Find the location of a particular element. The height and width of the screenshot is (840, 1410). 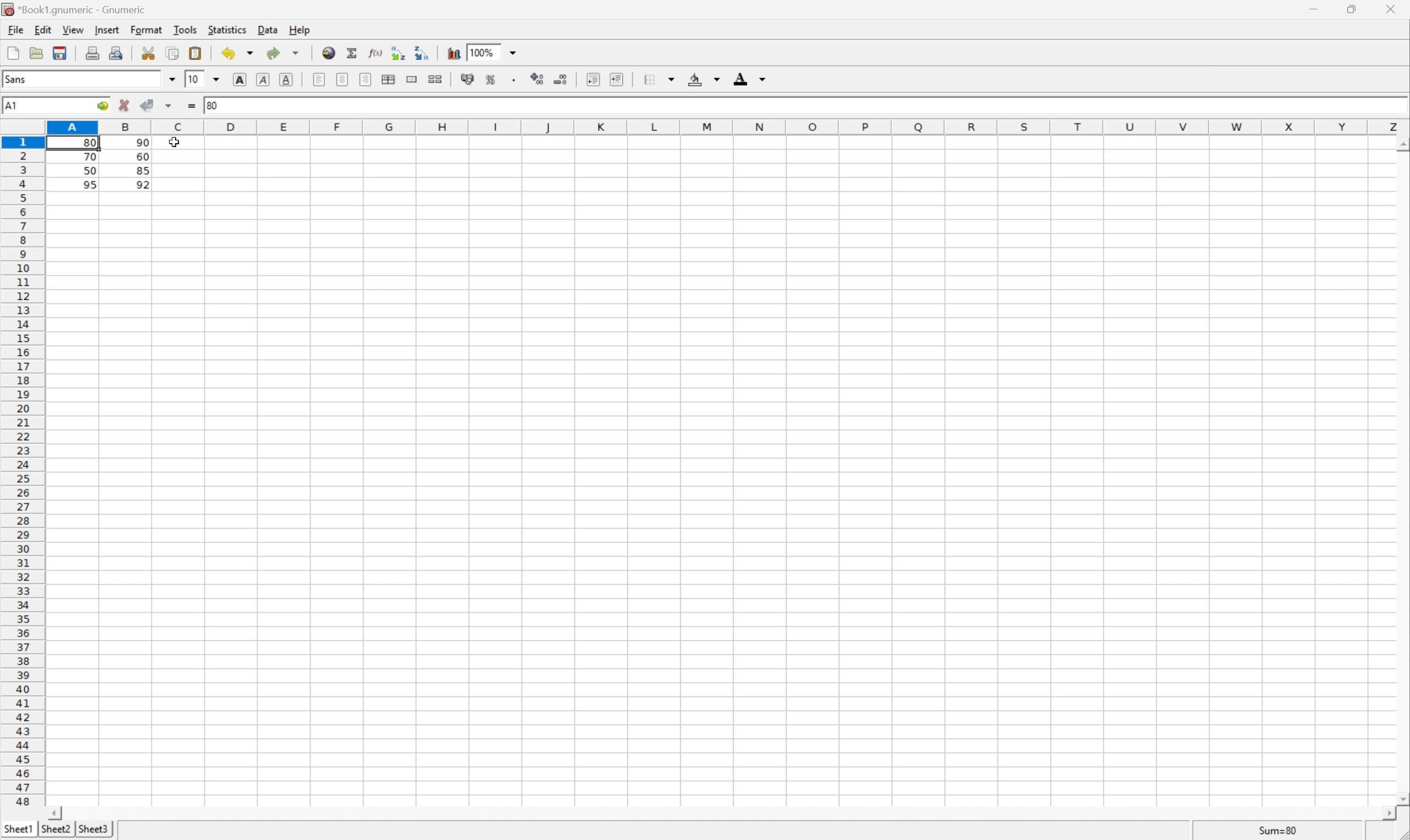

Sheet1 is located at coordinates (19, 828).